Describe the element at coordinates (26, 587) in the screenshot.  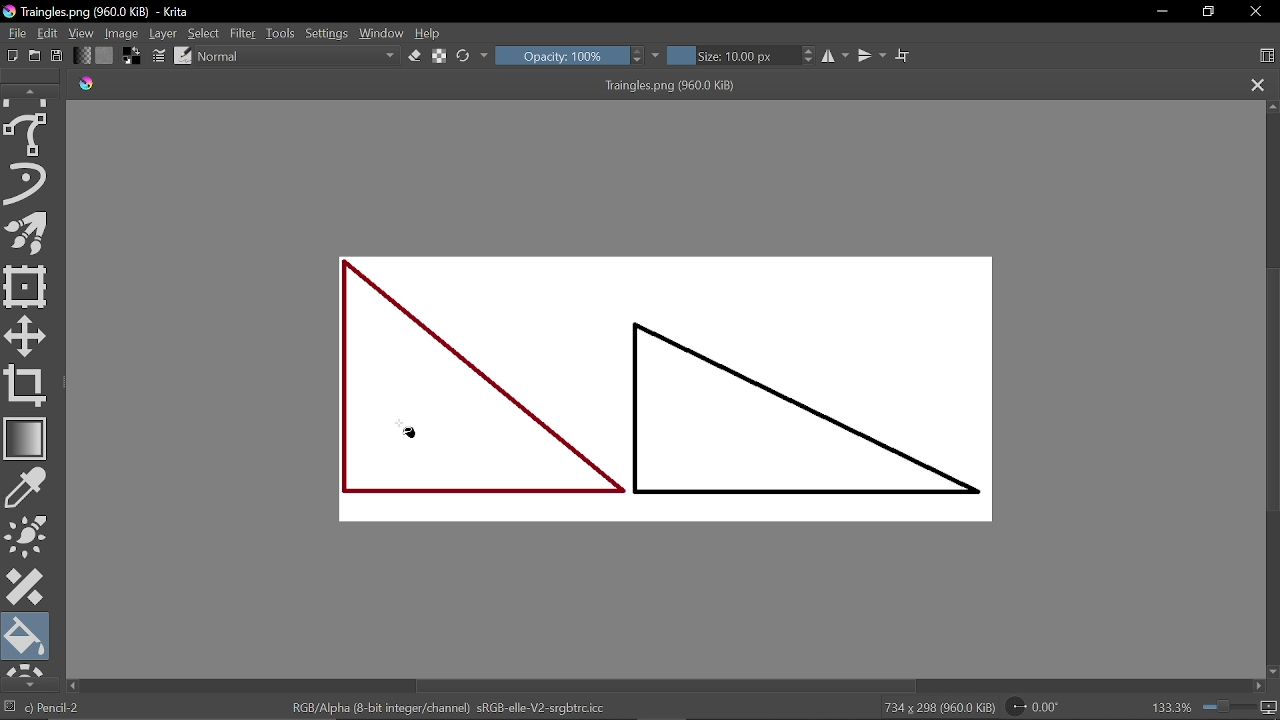
I see `Smart patch tool` at that location.